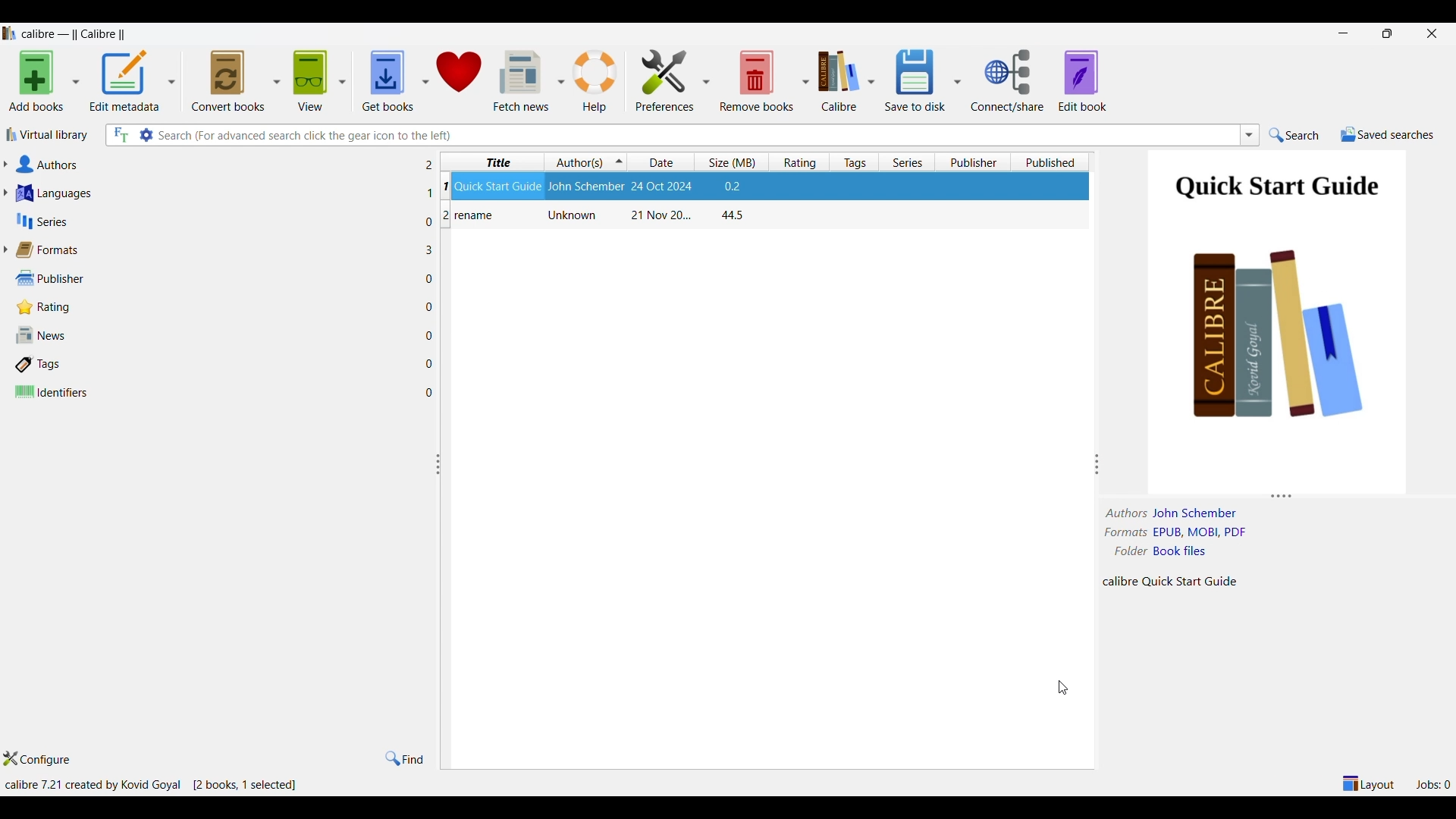  What do you see at coordinates (733, 162) in the screenshot?
I see `Size column` at bounding box center [733, 162].